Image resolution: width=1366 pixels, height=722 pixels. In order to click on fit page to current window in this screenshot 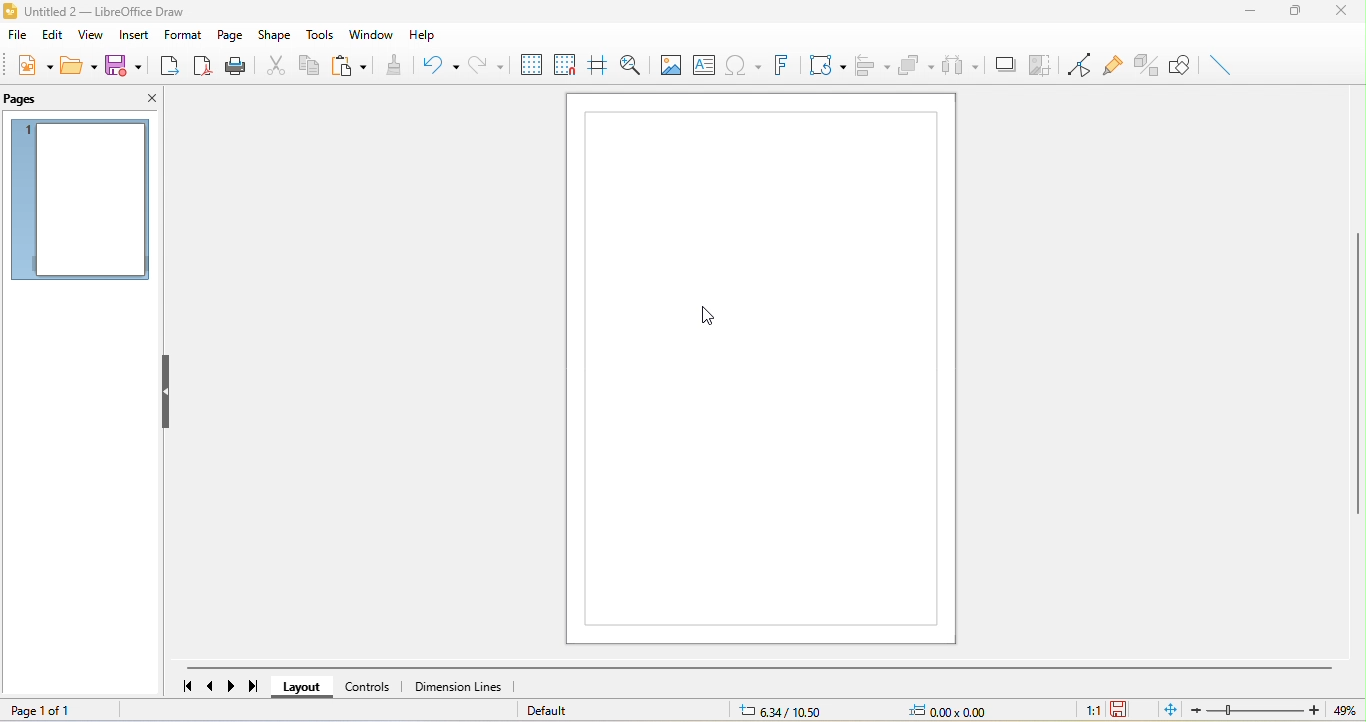, I will do `click(1171, 709)`.